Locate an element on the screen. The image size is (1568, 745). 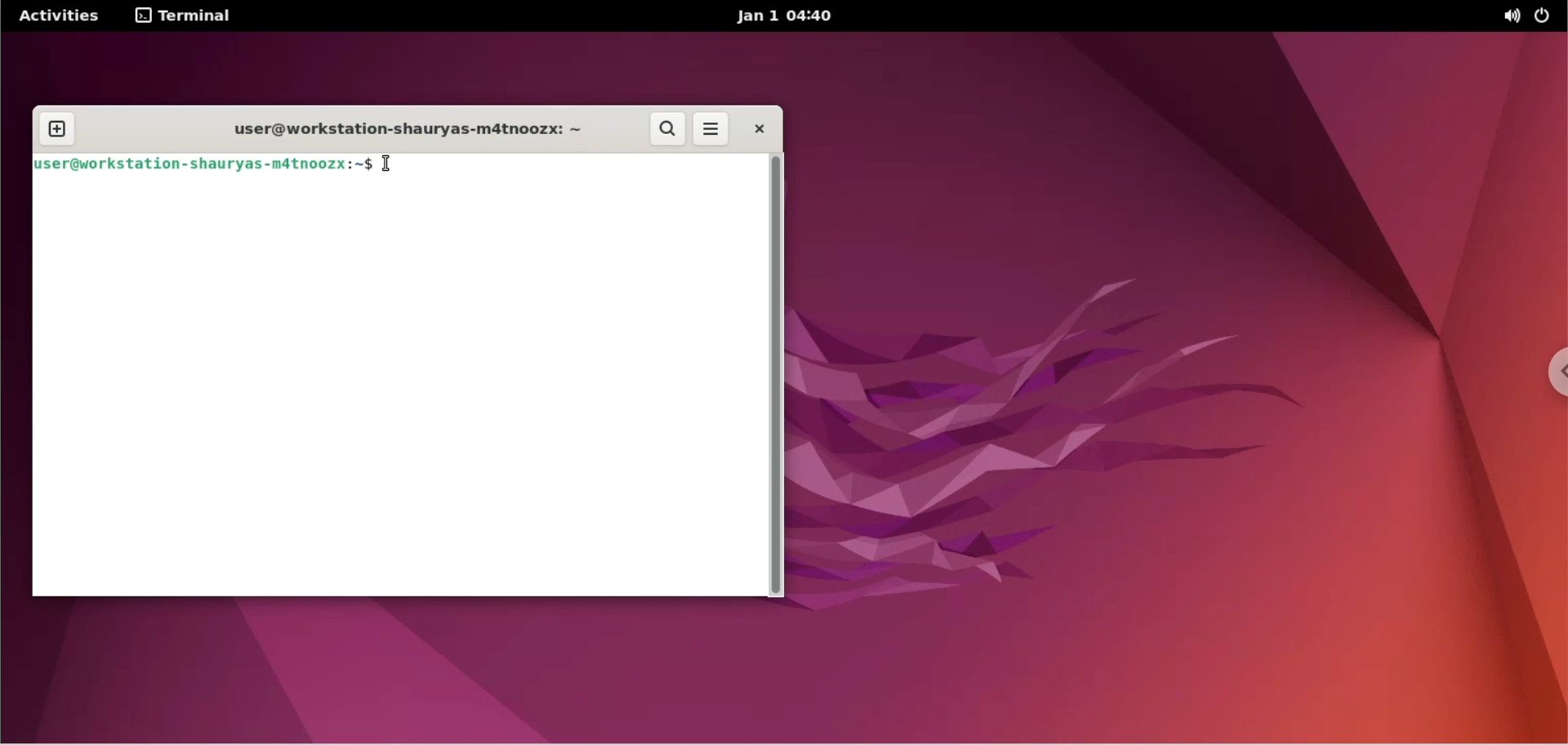
search is located at coordinates (664, 128).